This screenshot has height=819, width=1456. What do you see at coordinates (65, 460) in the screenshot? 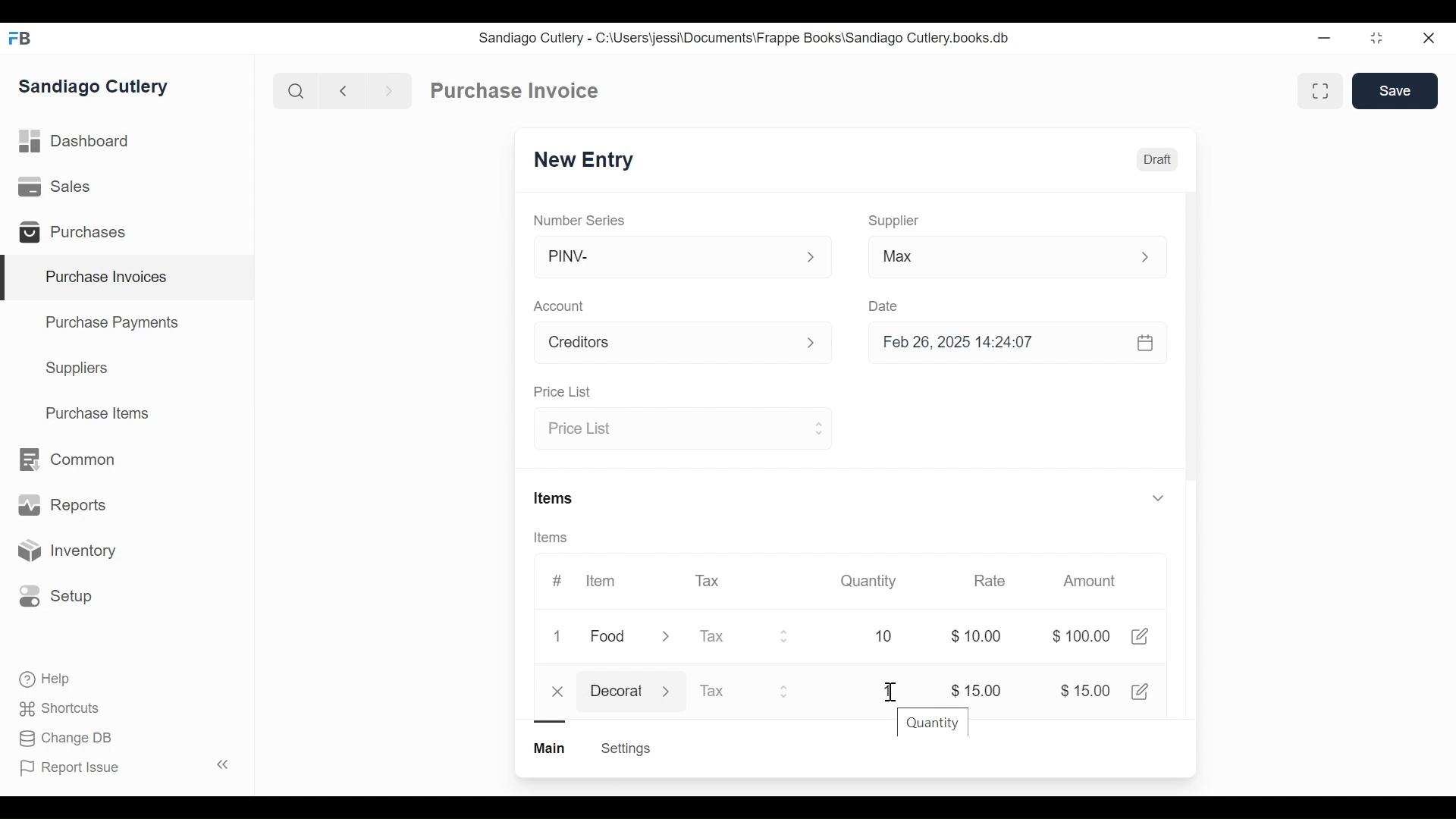
I see `Common` at bounding box center [65, 460].